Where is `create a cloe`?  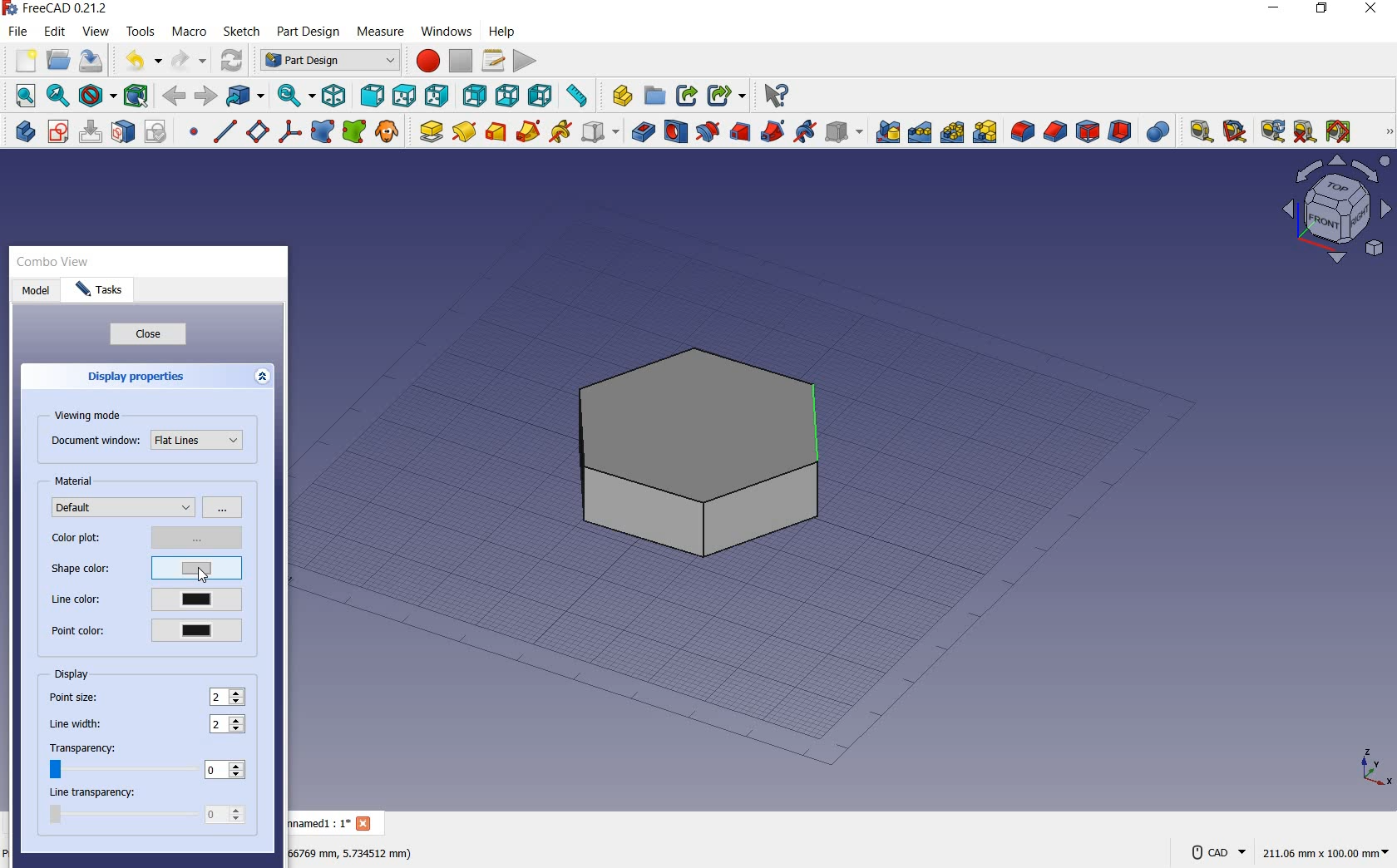
create a cloe is located at coordinates (388, 132).